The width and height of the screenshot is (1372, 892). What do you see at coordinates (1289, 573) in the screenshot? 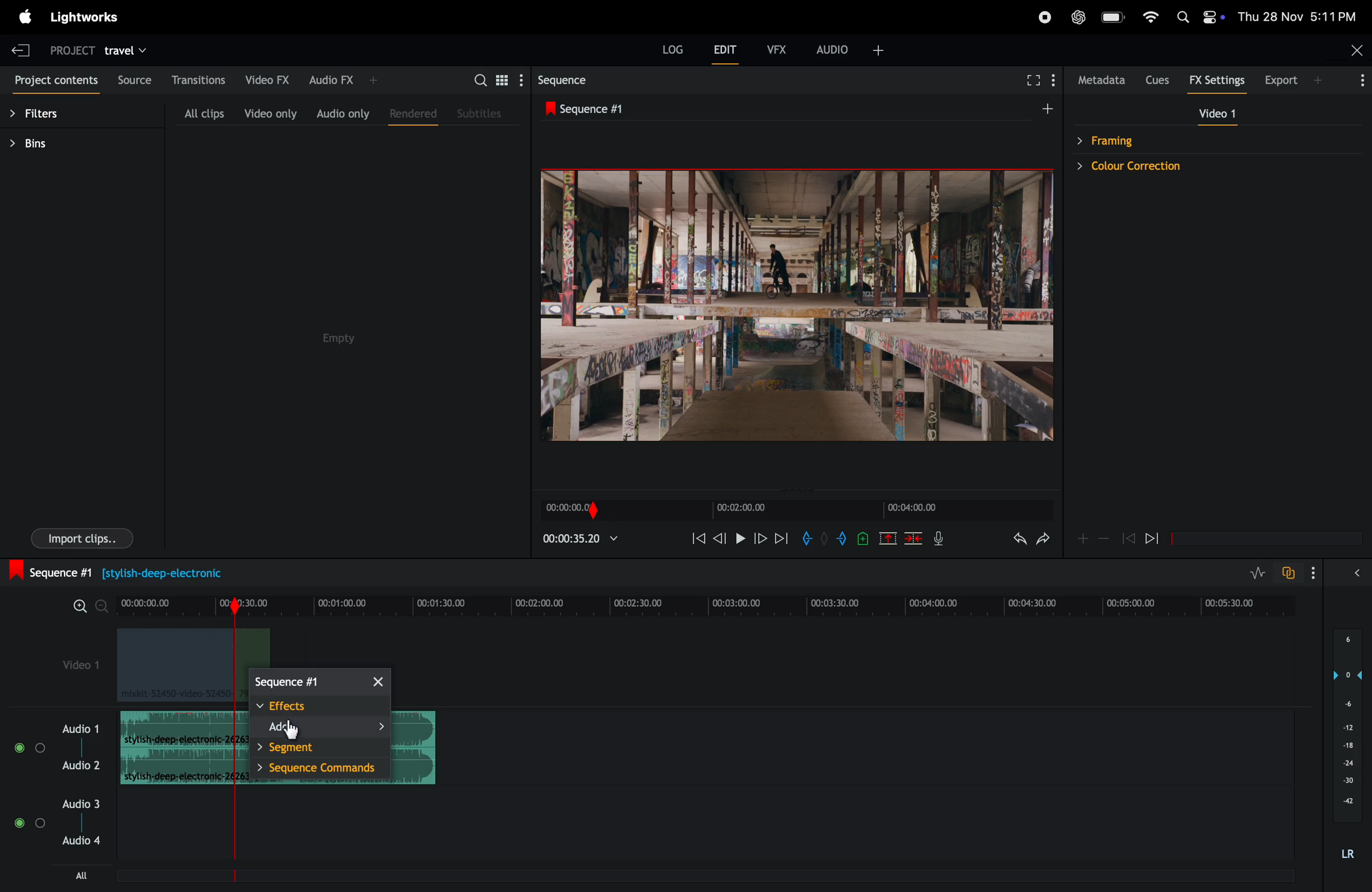
I see `toggle auto sync` at bounding box center [1289, 573].